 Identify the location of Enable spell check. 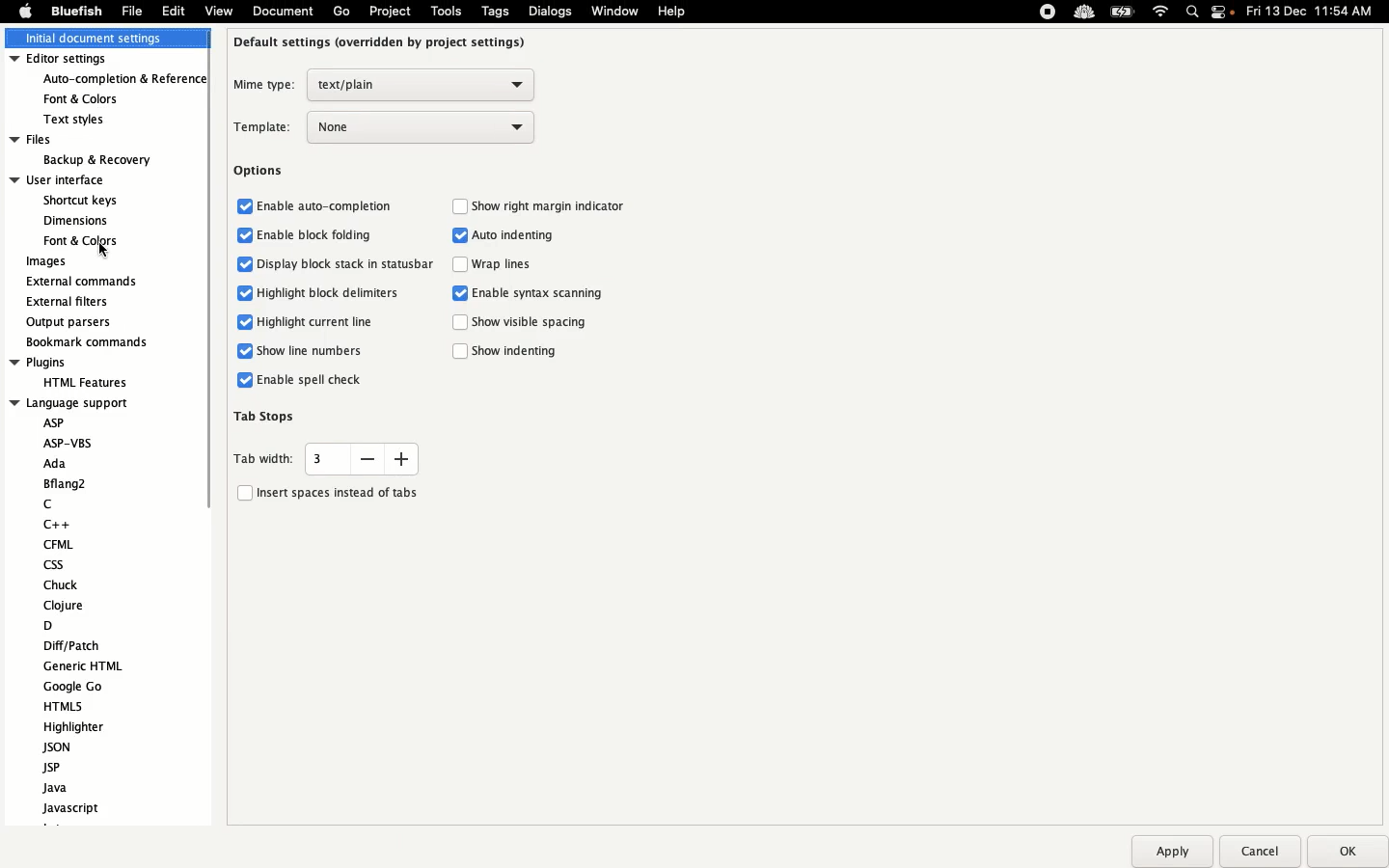
(300, 380).